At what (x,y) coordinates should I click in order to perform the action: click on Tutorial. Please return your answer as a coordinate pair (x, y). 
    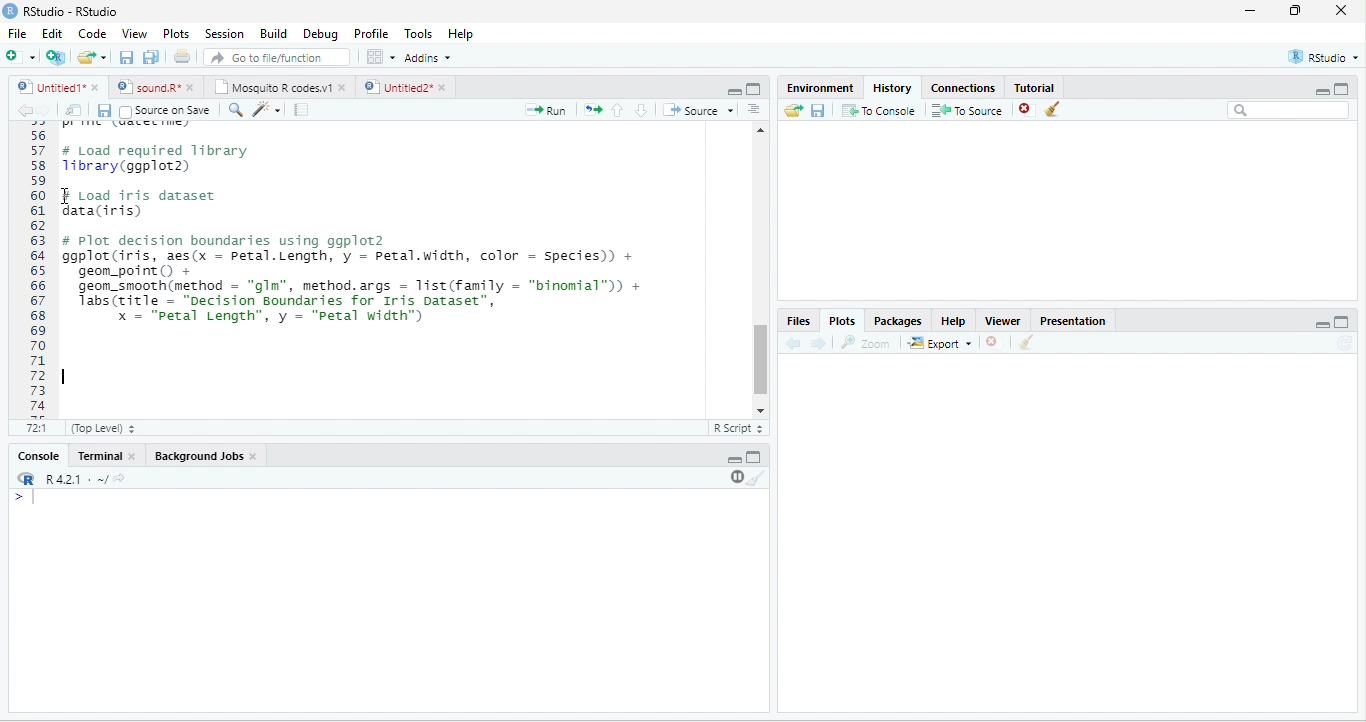
    Looking at the image, I should click on (1035, 88).